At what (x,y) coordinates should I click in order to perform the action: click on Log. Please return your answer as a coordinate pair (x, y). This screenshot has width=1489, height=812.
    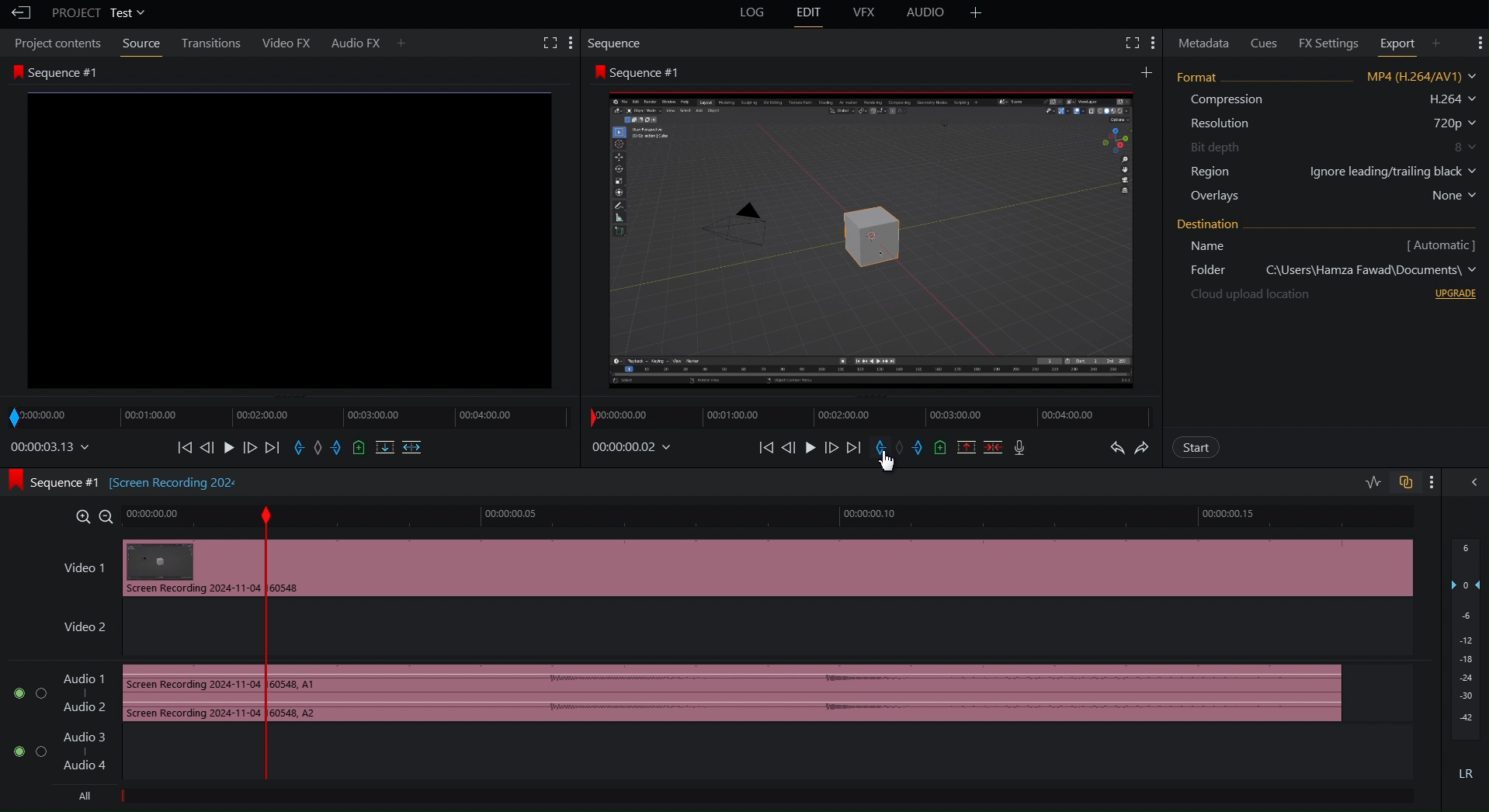
    Looking at the image, I should click on (754, 14).